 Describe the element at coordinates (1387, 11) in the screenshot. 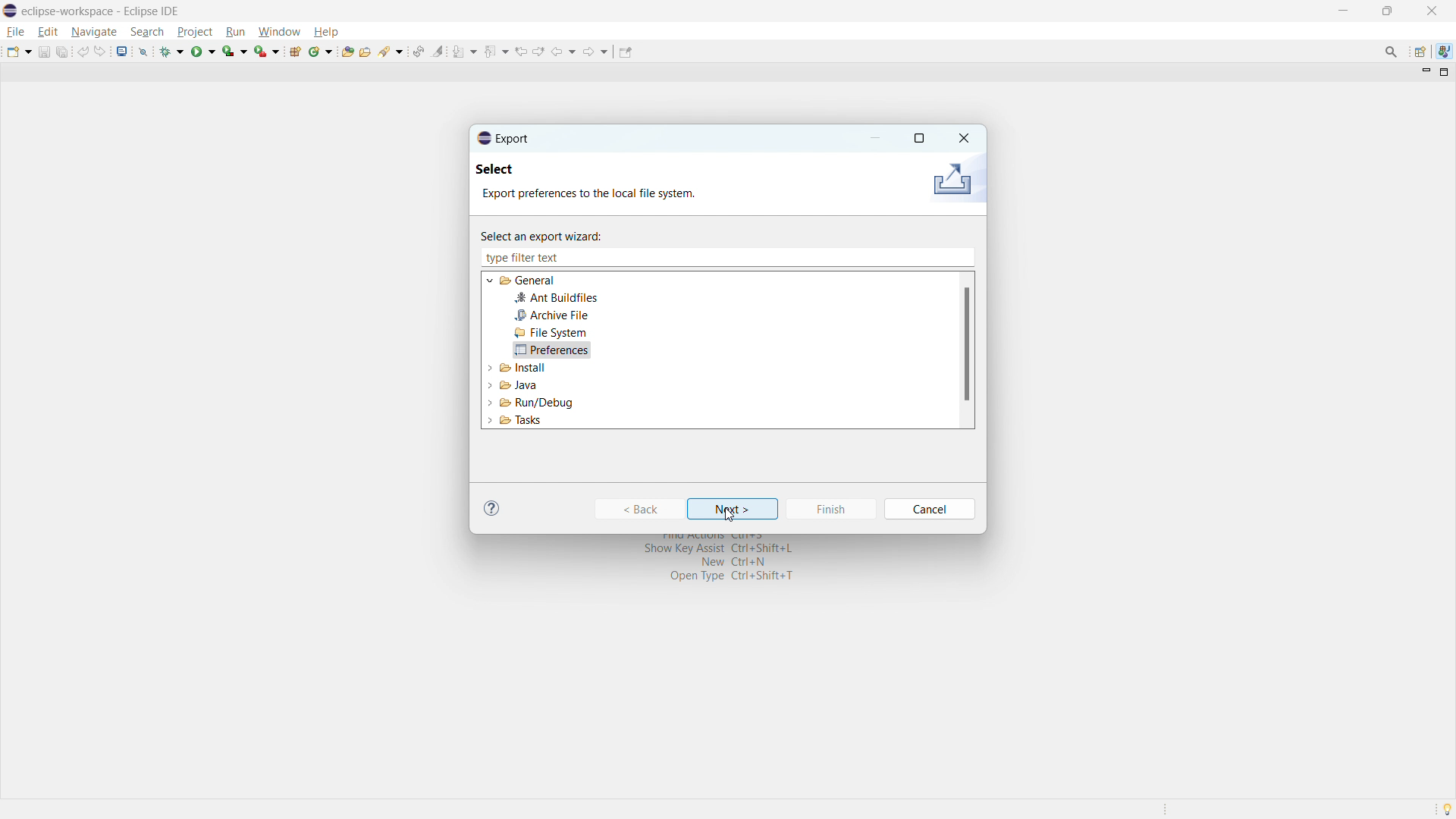

I see `maximize` at that location.